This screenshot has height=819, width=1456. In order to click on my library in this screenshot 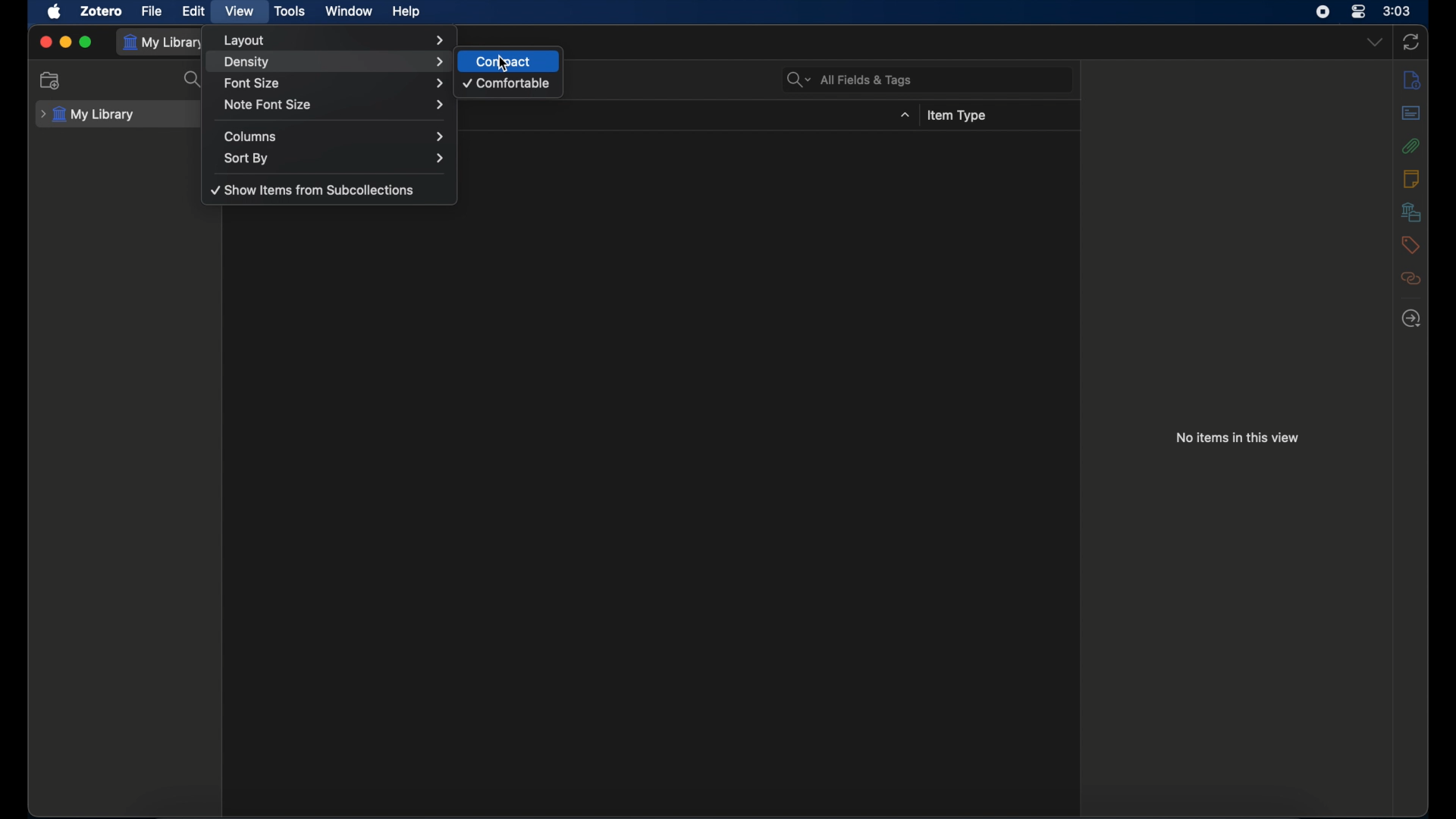, I will do `click(88, 115)`.